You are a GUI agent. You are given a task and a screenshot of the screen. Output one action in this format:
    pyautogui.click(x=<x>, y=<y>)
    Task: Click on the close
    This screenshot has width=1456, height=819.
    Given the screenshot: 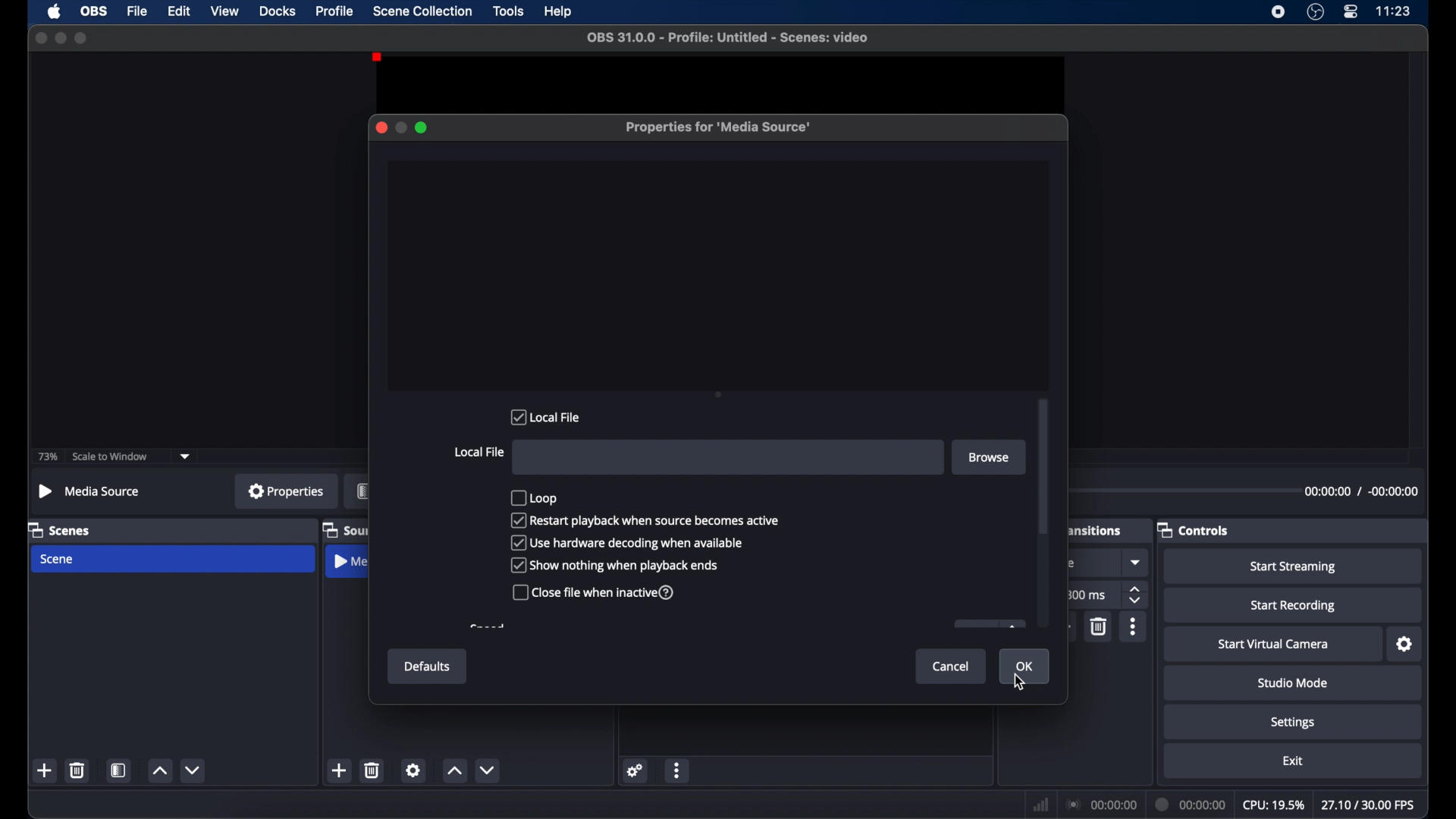 What is the action you would take?
    pyautogui.click(x=40, y=37)
    